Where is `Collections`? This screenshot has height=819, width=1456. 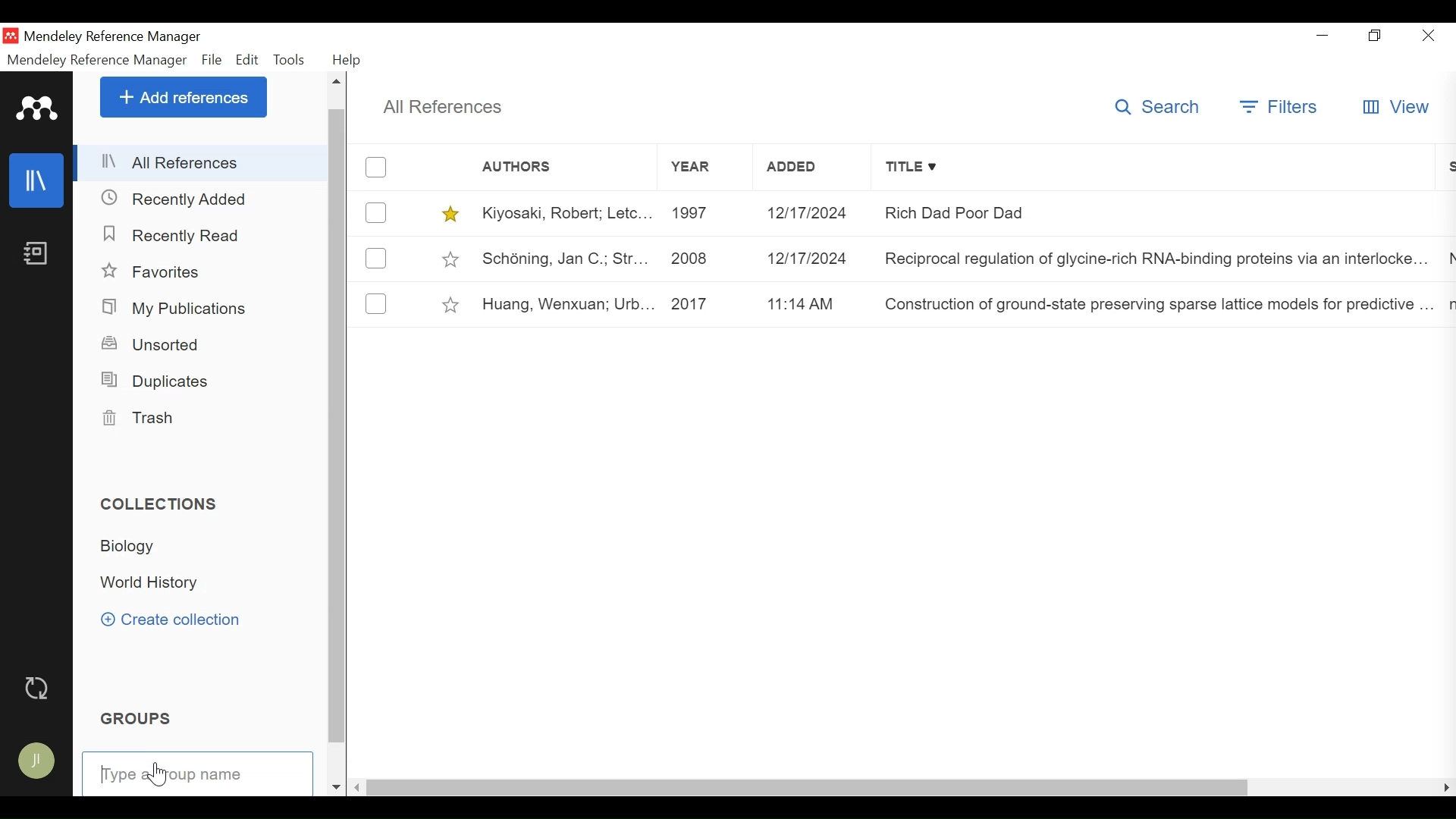 Collections is located at coordinates (158, 502).